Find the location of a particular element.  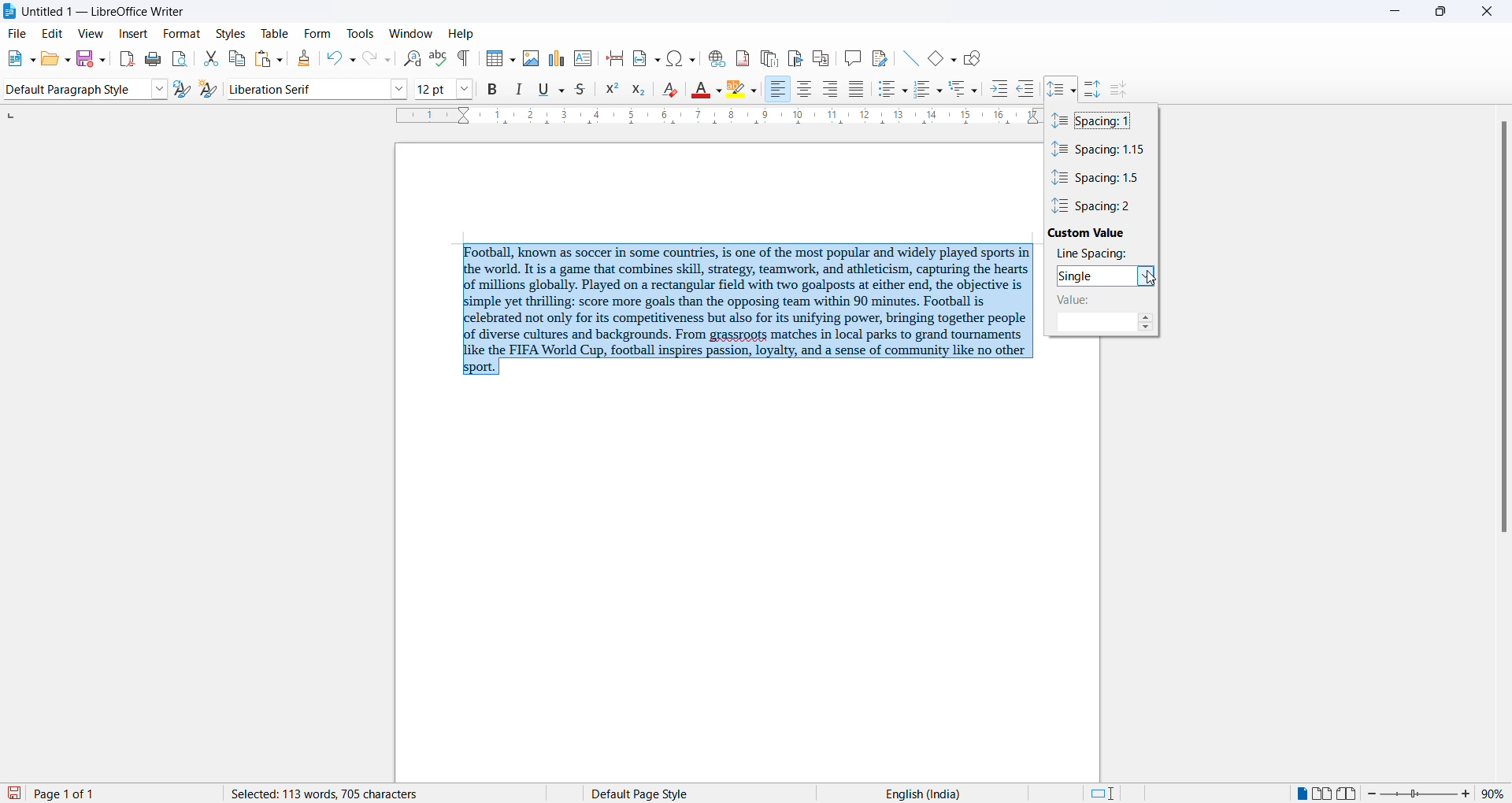

print is located at coordinates (154, 58).